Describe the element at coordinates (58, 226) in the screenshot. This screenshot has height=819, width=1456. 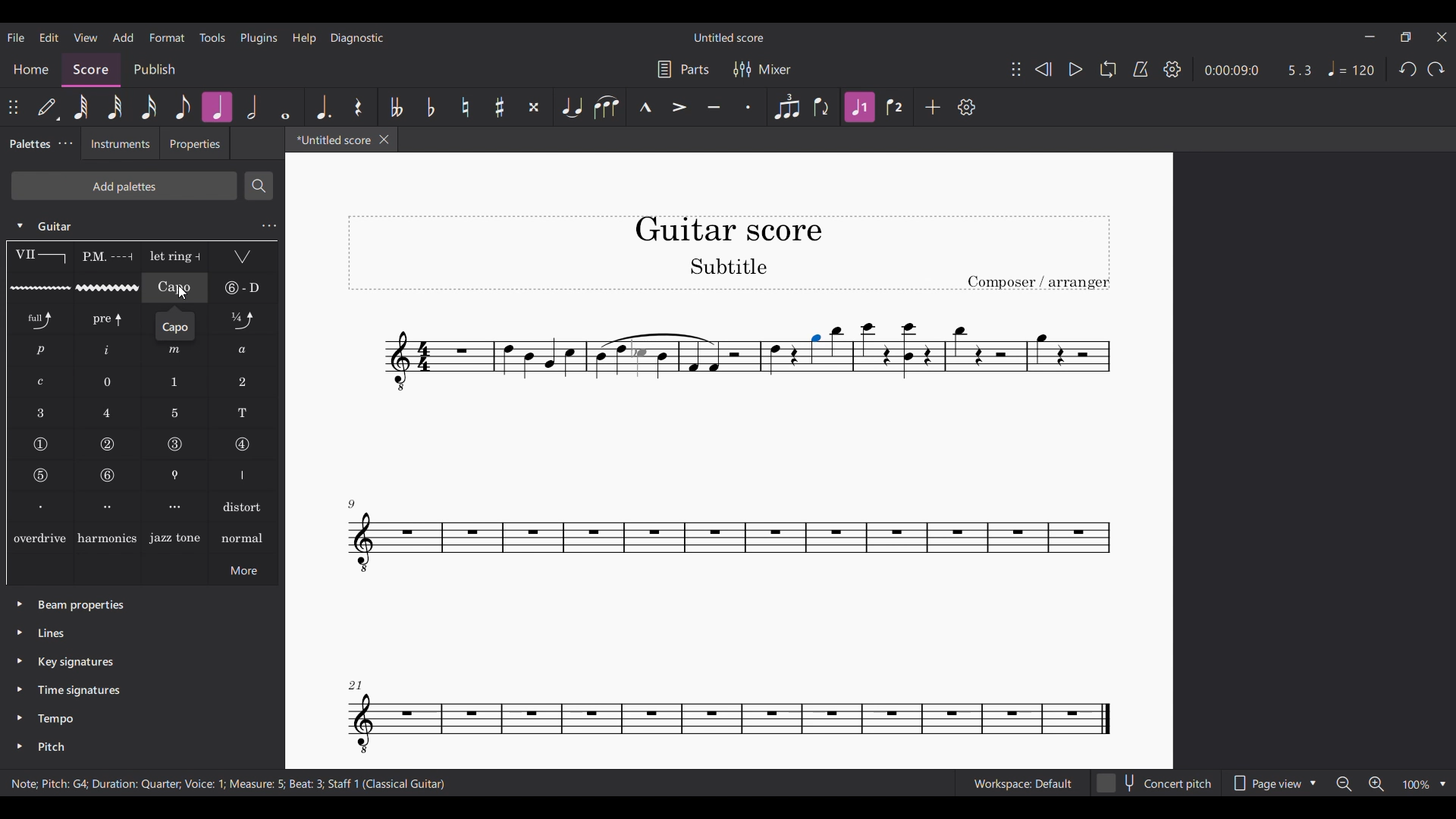
I see `Guitar` at that location.